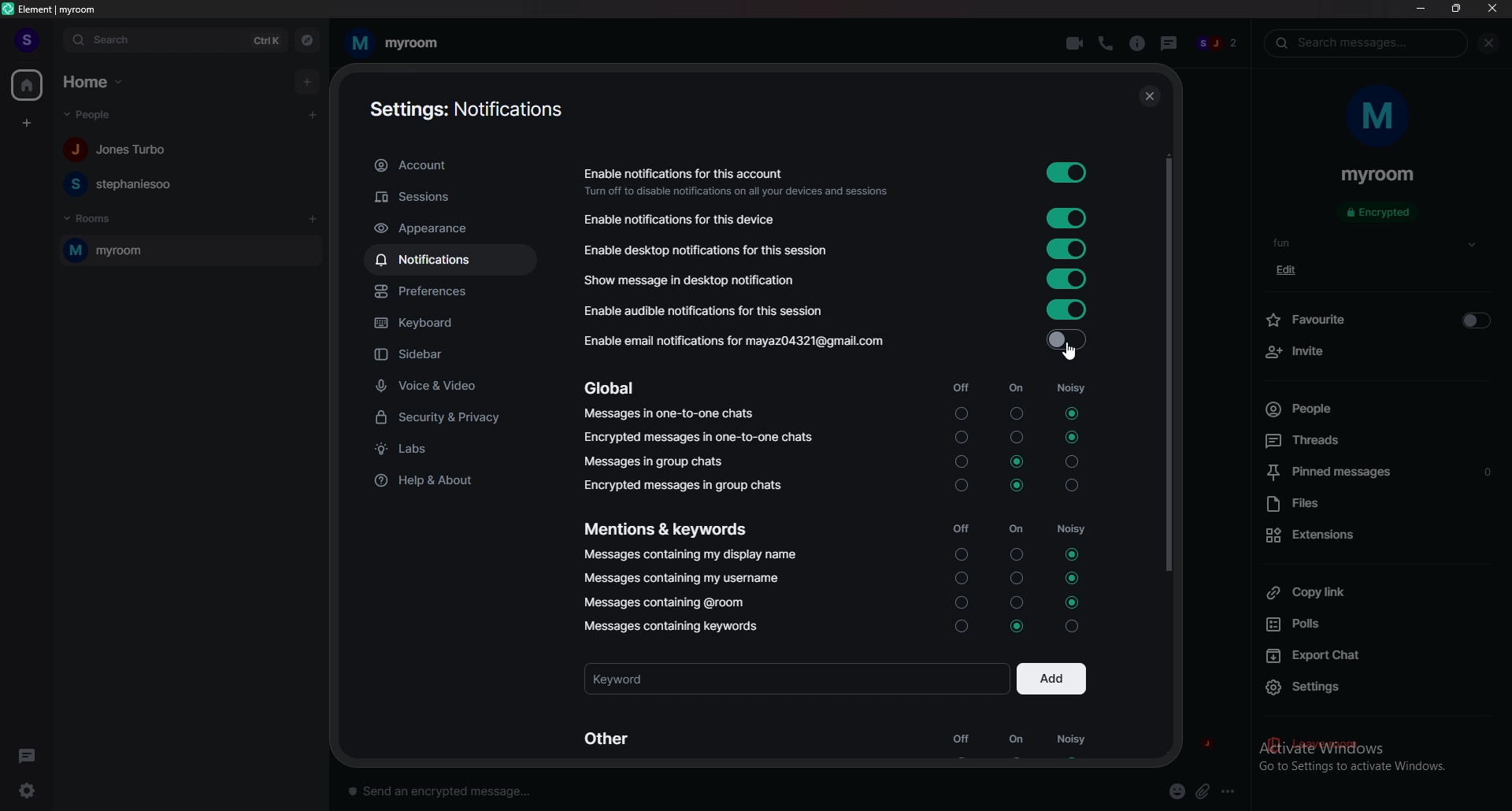 This screenshot has width=1512, height=811. Describe the element at coordinates (1377, 591) in the screenshot. I see `copy link` at that location.